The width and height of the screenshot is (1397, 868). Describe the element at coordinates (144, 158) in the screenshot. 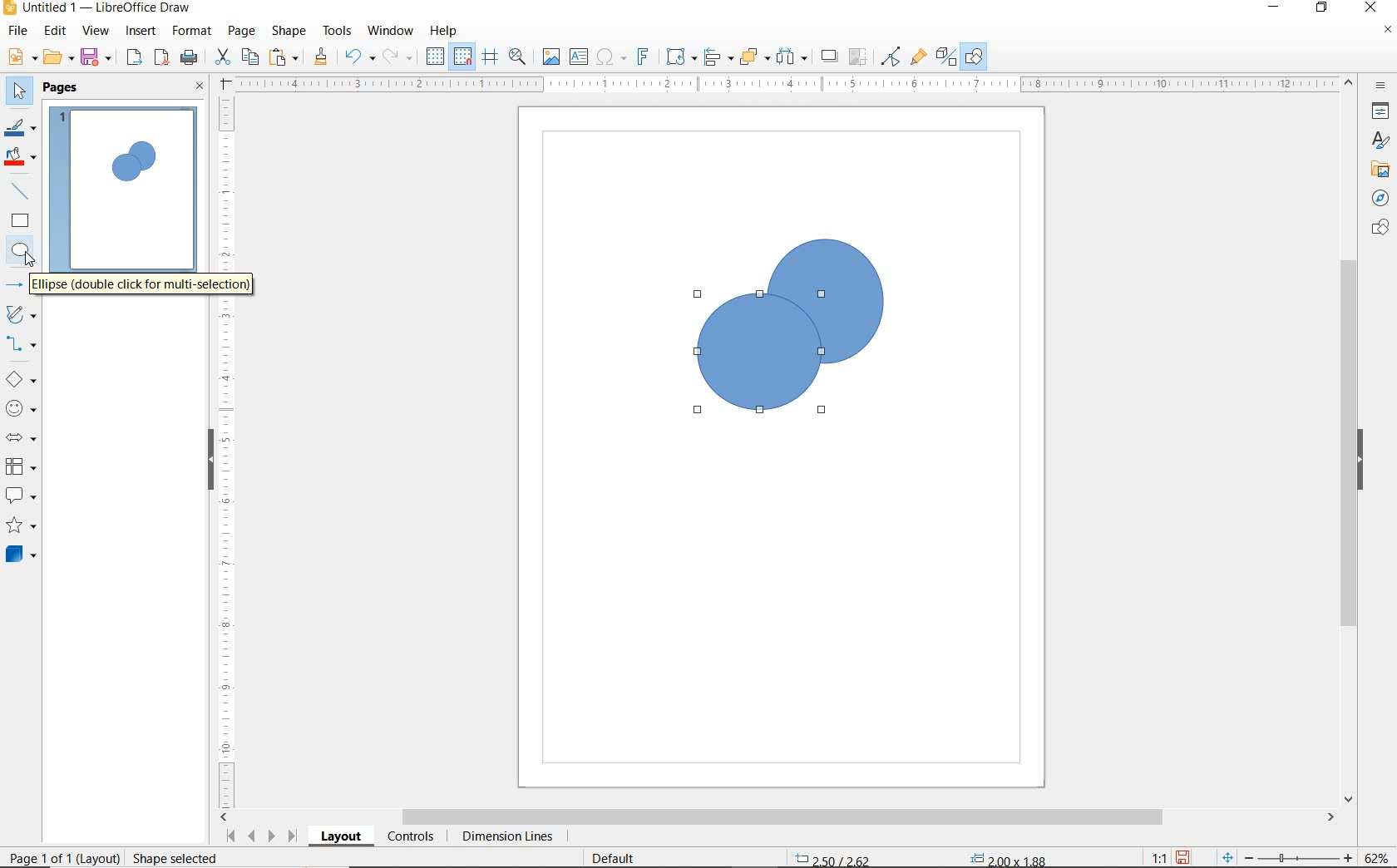

I see `CIRCLE ADDED` at that location.